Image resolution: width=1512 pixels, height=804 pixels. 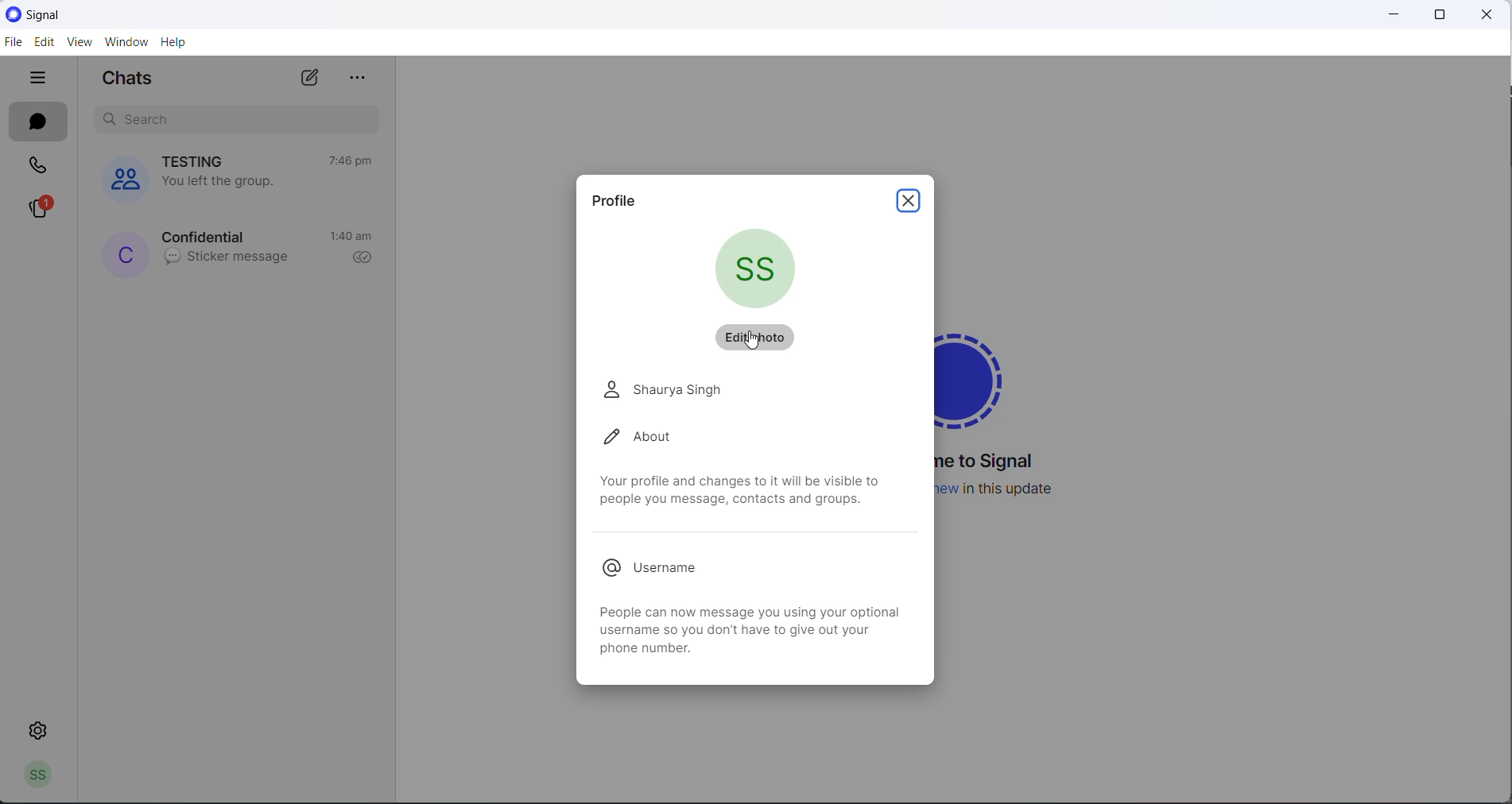 What do you see at coordinates (231, 119) in the screenshot?
I see `search chats` at bounding box center [231, 119].